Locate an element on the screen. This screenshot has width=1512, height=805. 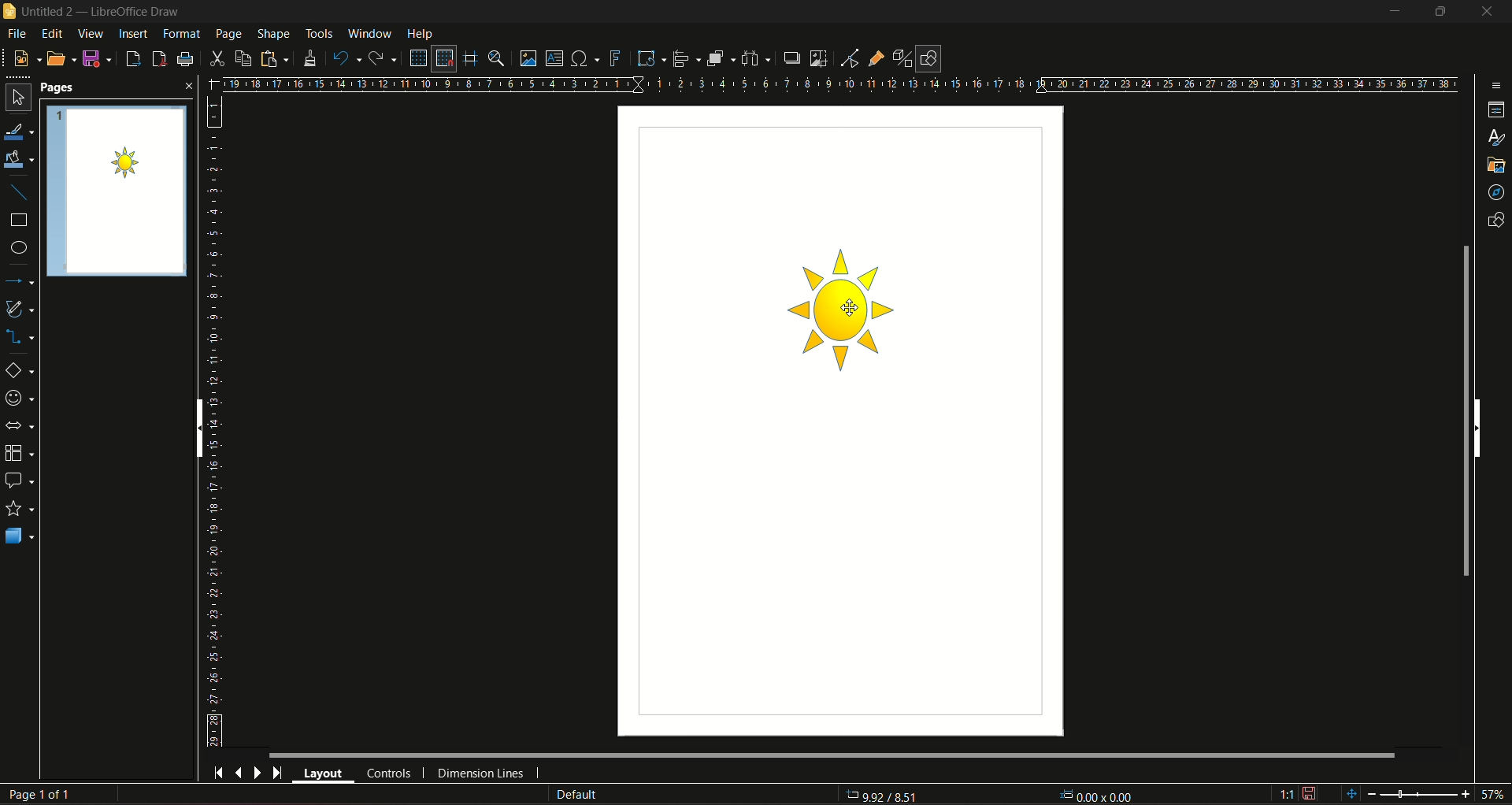
export as pdf is located at coordinates (159, 59).